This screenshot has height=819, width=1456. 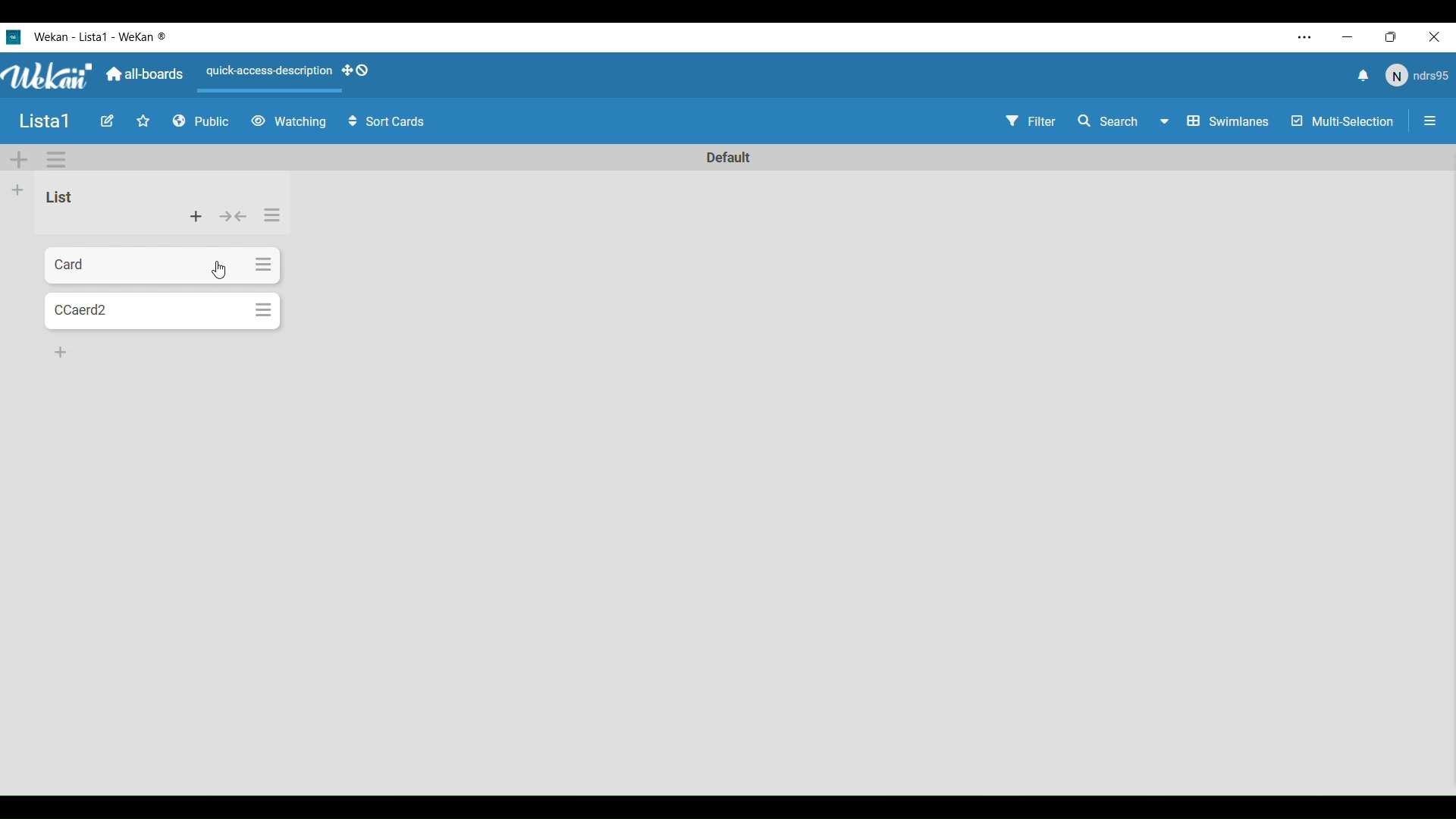 What do you see at coordinates (1427, 123) in the screenshot?
I see `Option` at bounding box center [1427, 123].